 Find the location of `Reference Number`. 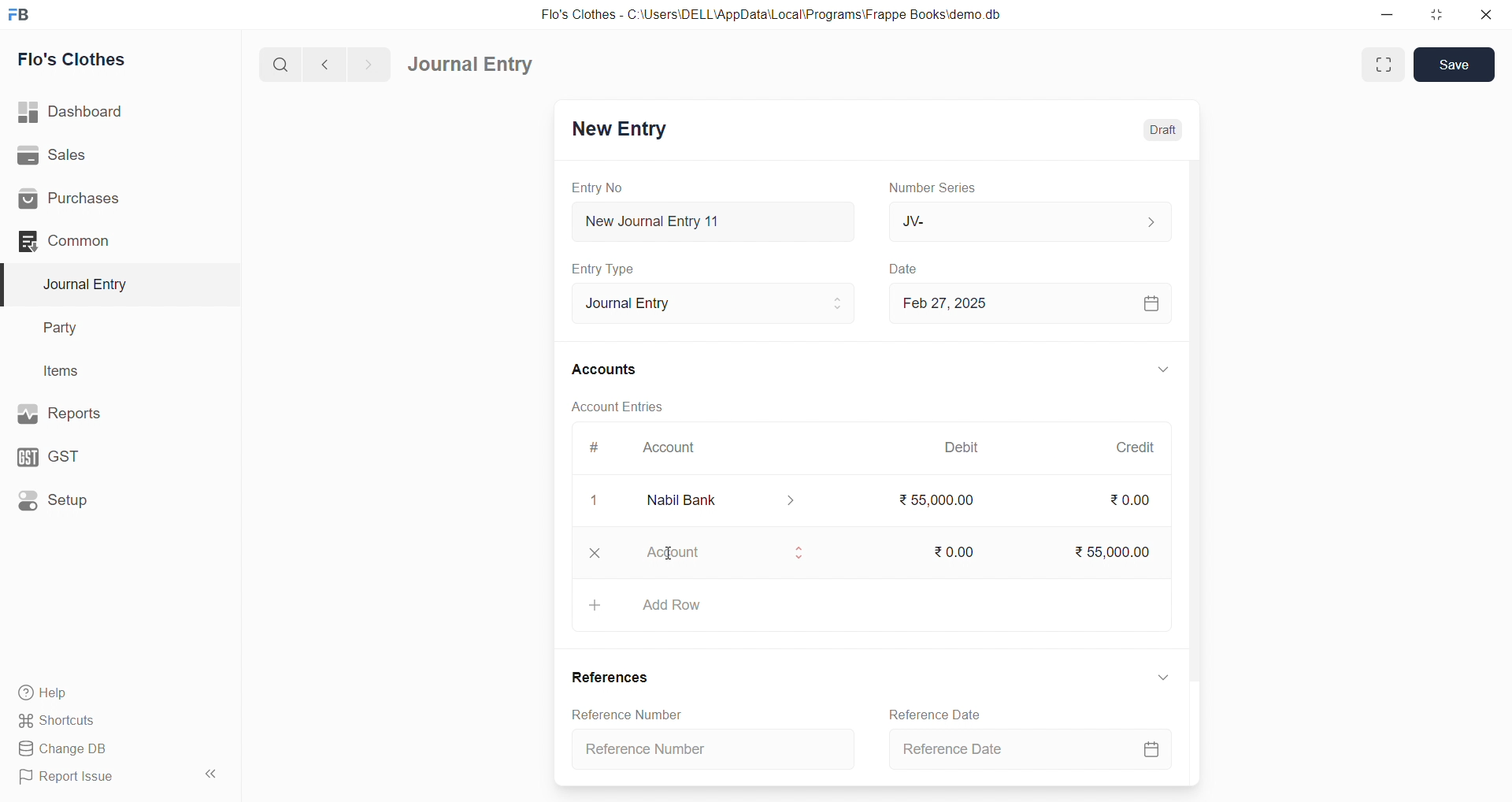

Reference Number is located at coordinates (713, 747).